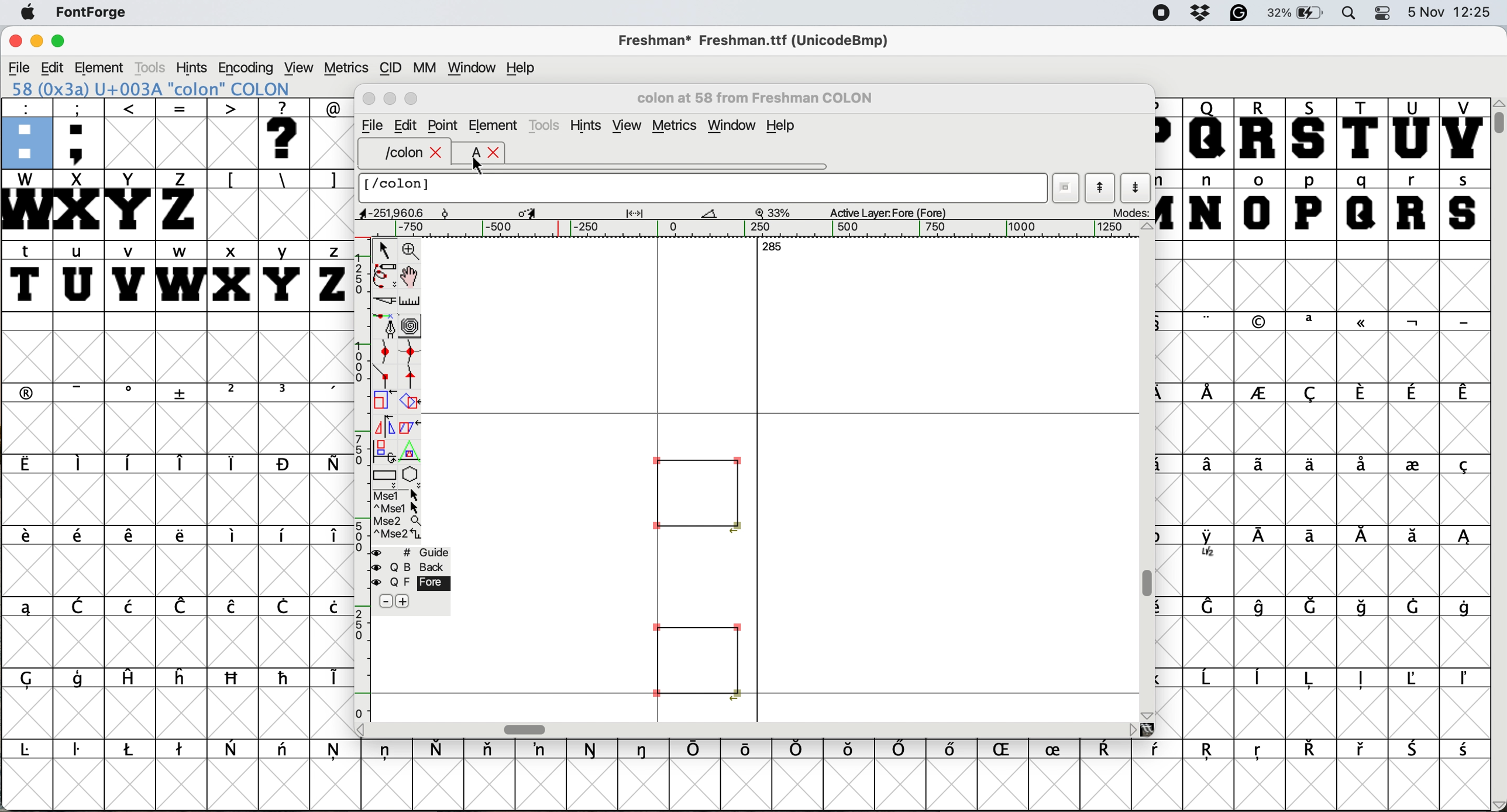  I want to click on point, so click(444, 124).